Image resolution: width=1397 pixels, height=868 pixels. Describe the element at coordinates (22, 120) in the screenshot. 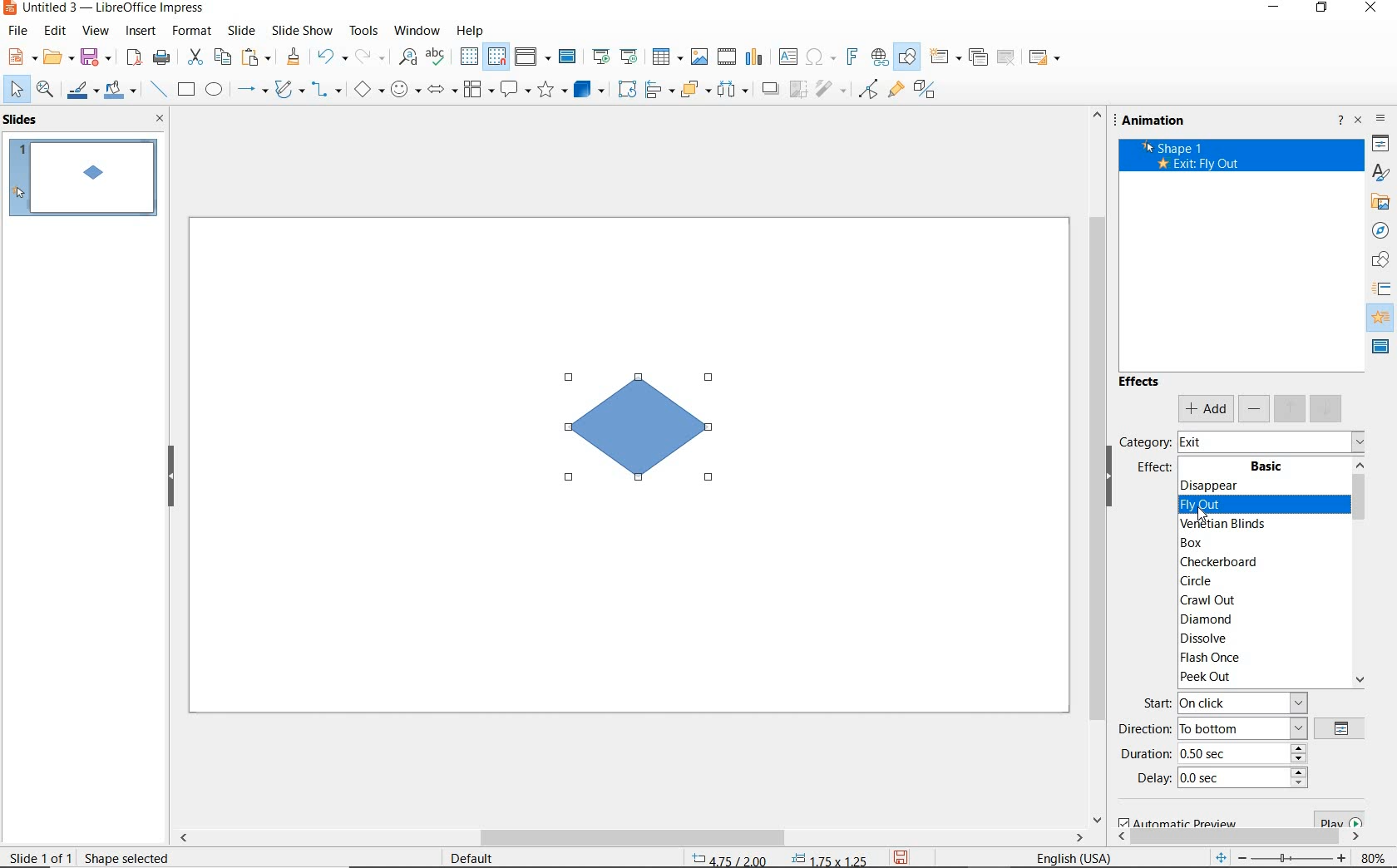

I see `slides` at that location.